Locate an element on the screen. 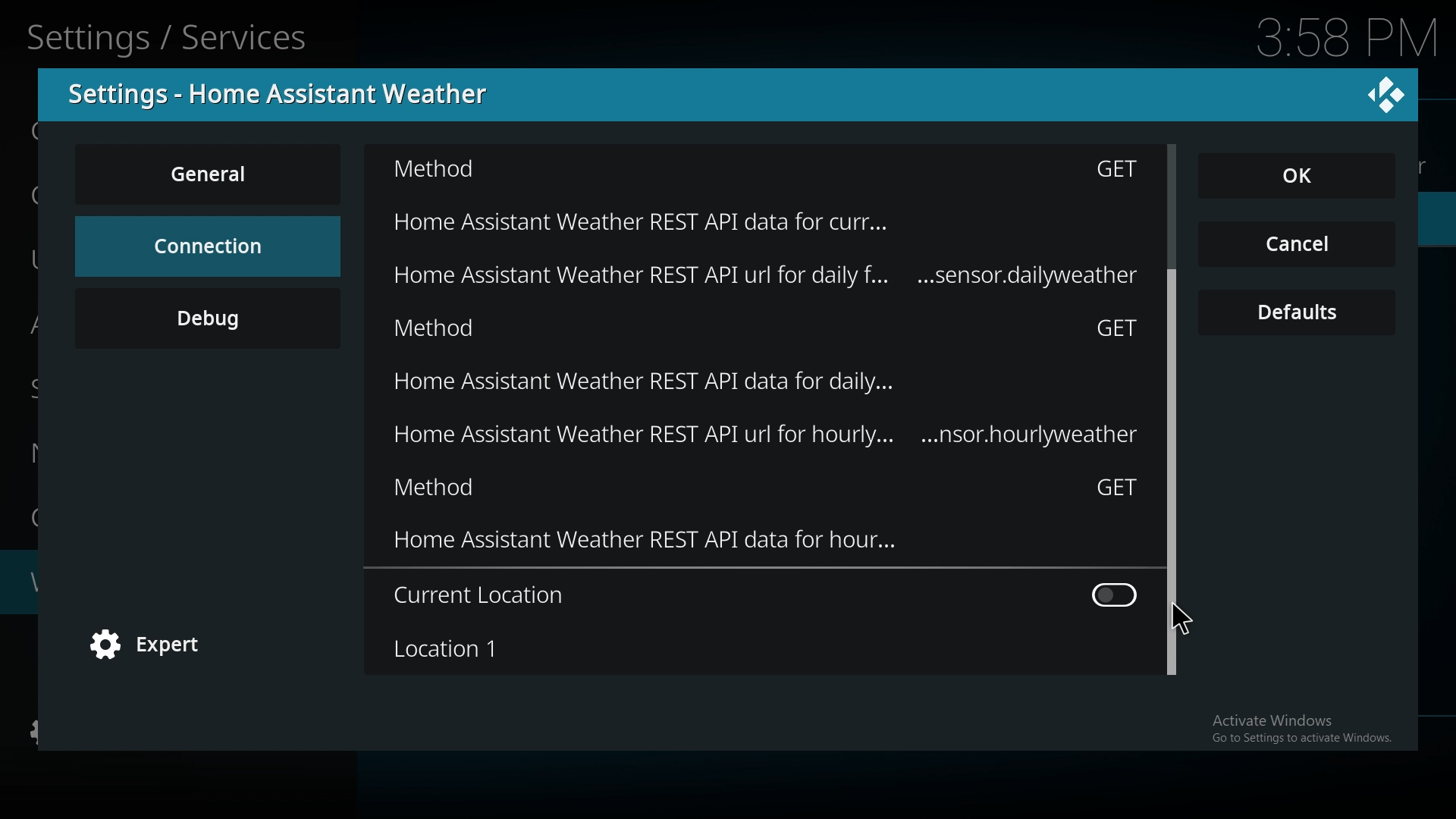 Image resolution: width=1456 pixels, height=819 pixels. expert is located at coordinates (155, 646).